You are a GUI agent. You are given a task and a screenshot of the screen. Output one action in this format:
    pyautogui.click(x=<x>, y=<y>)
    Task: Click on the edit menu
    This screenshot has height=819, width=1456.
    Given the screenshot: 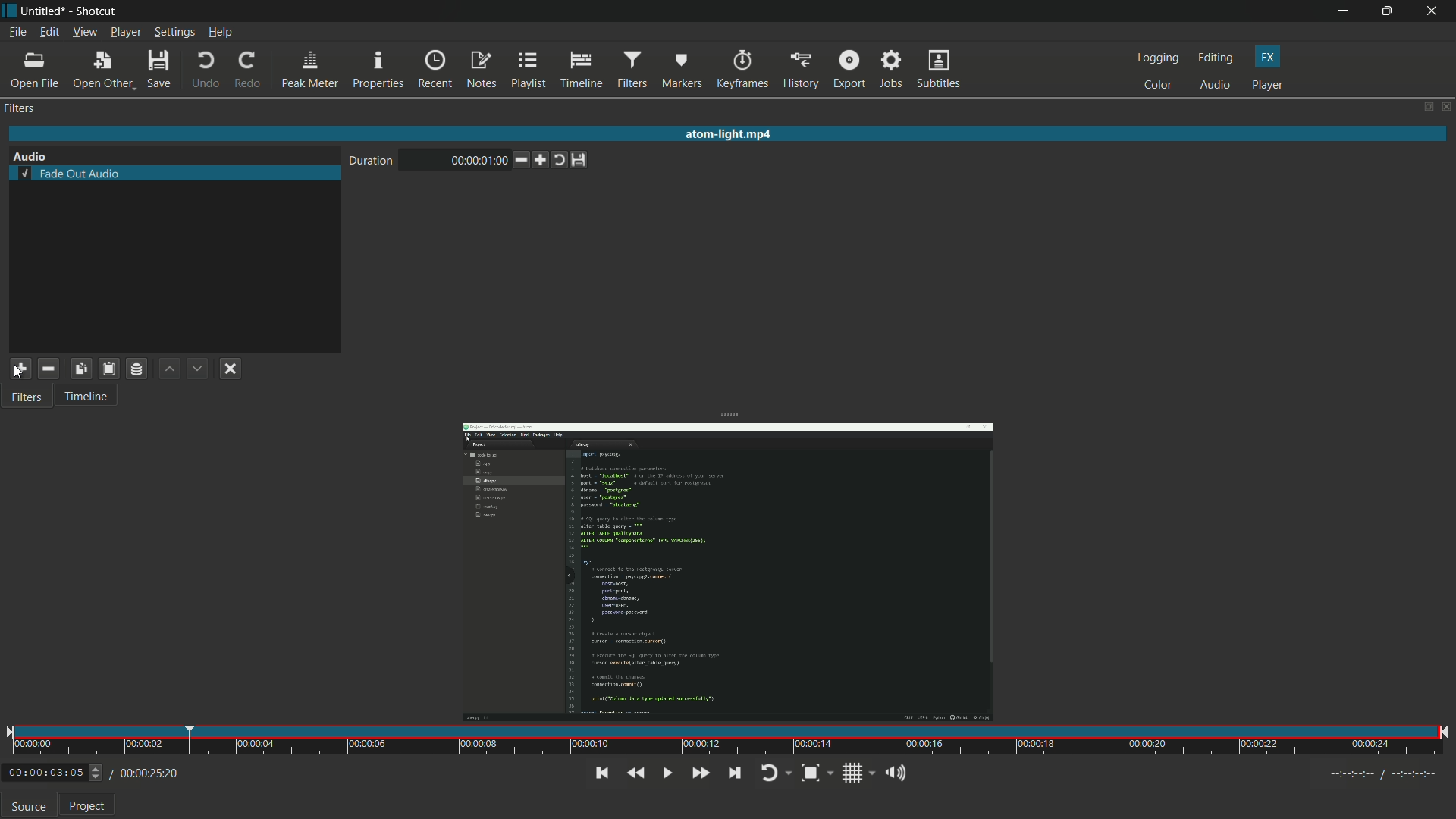 What is the action you would take?
    pyautogui.click(x=48, y=33)
    